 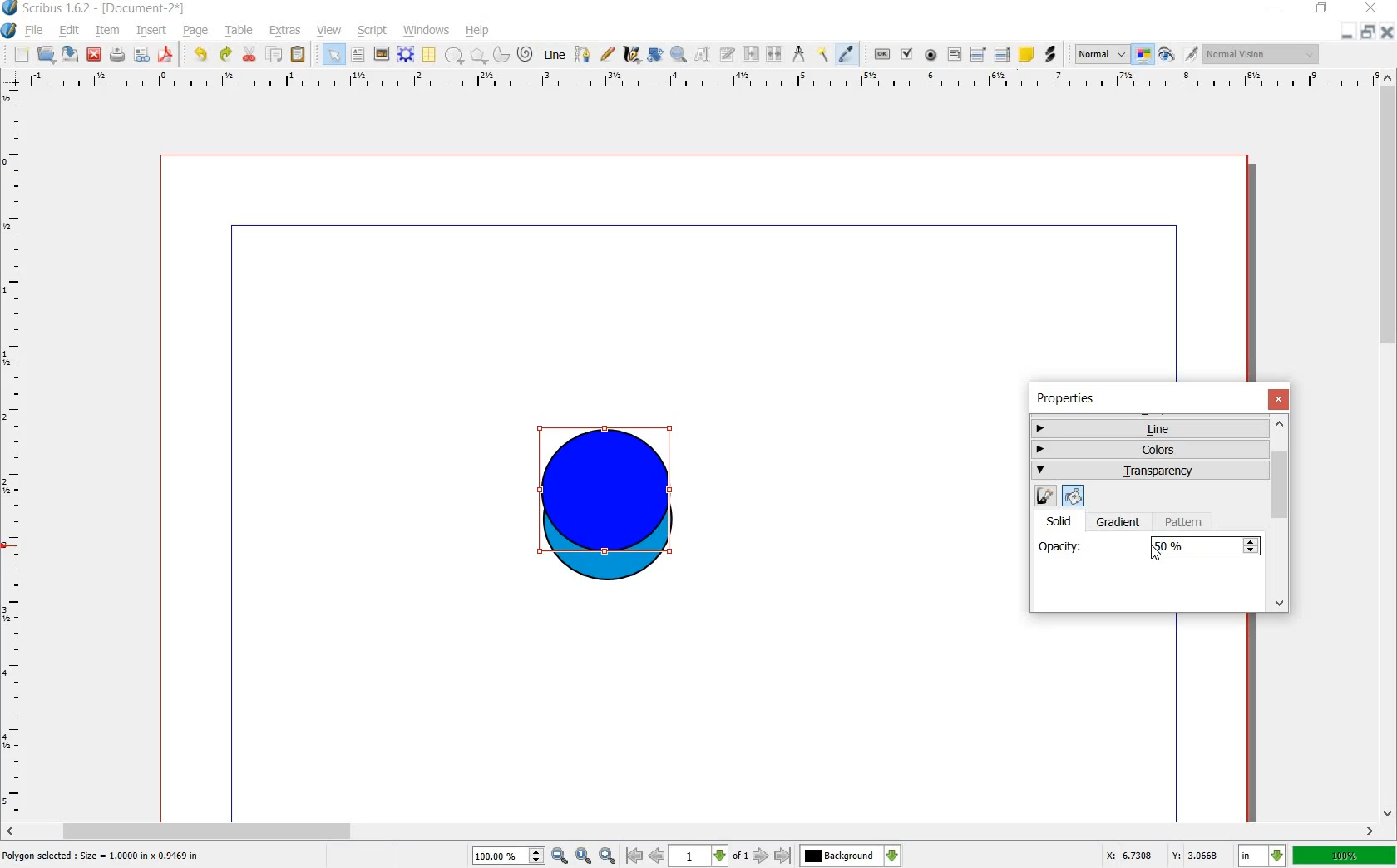 What do you see at coordinates (1028, 55) in the screenshot?
I see `text annotation` at bounding box center [1028, 55].